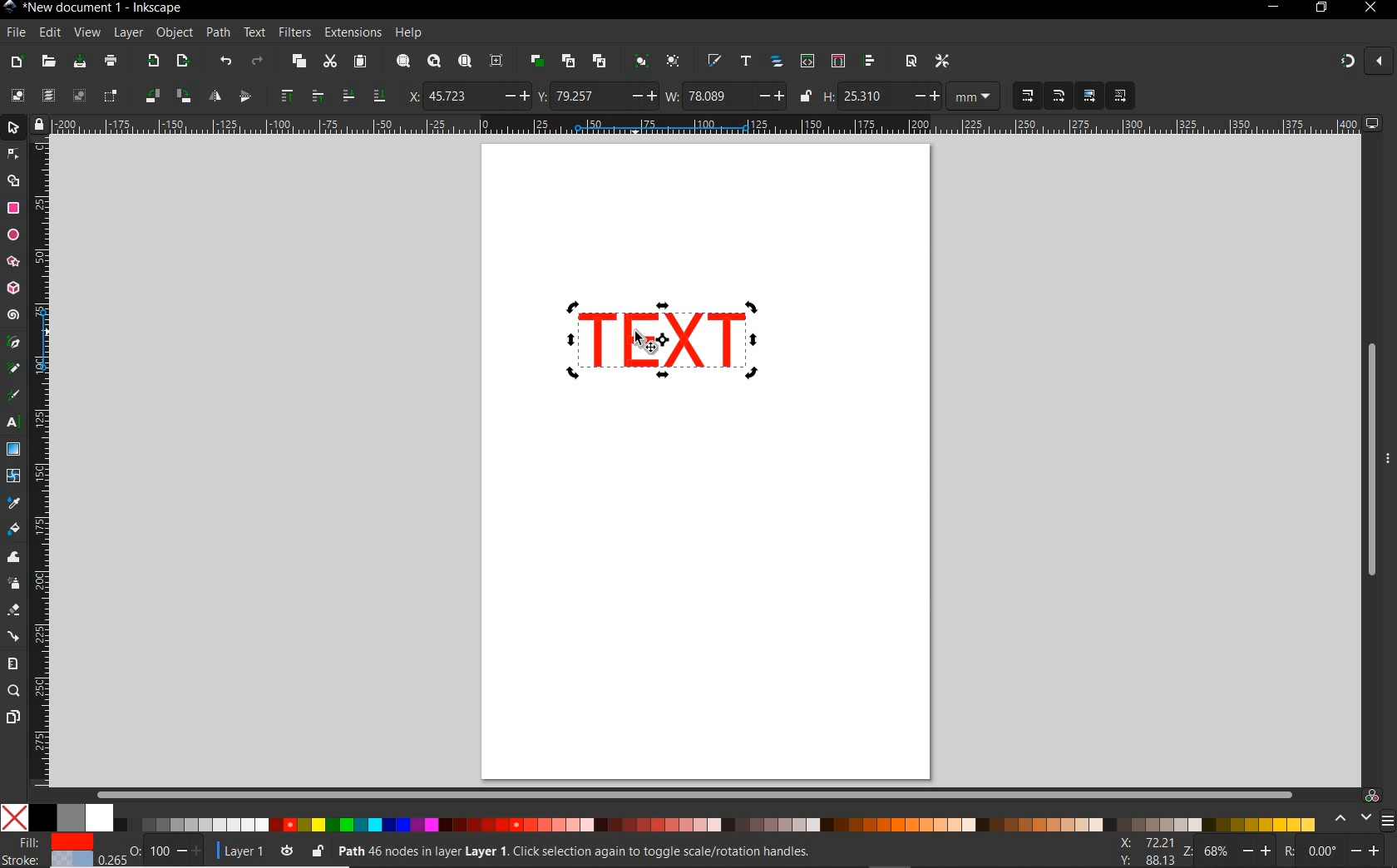  Describe the element at coordinates (944, 61) in the screenshot. I see `OPEN PREFERENCES` at that location.